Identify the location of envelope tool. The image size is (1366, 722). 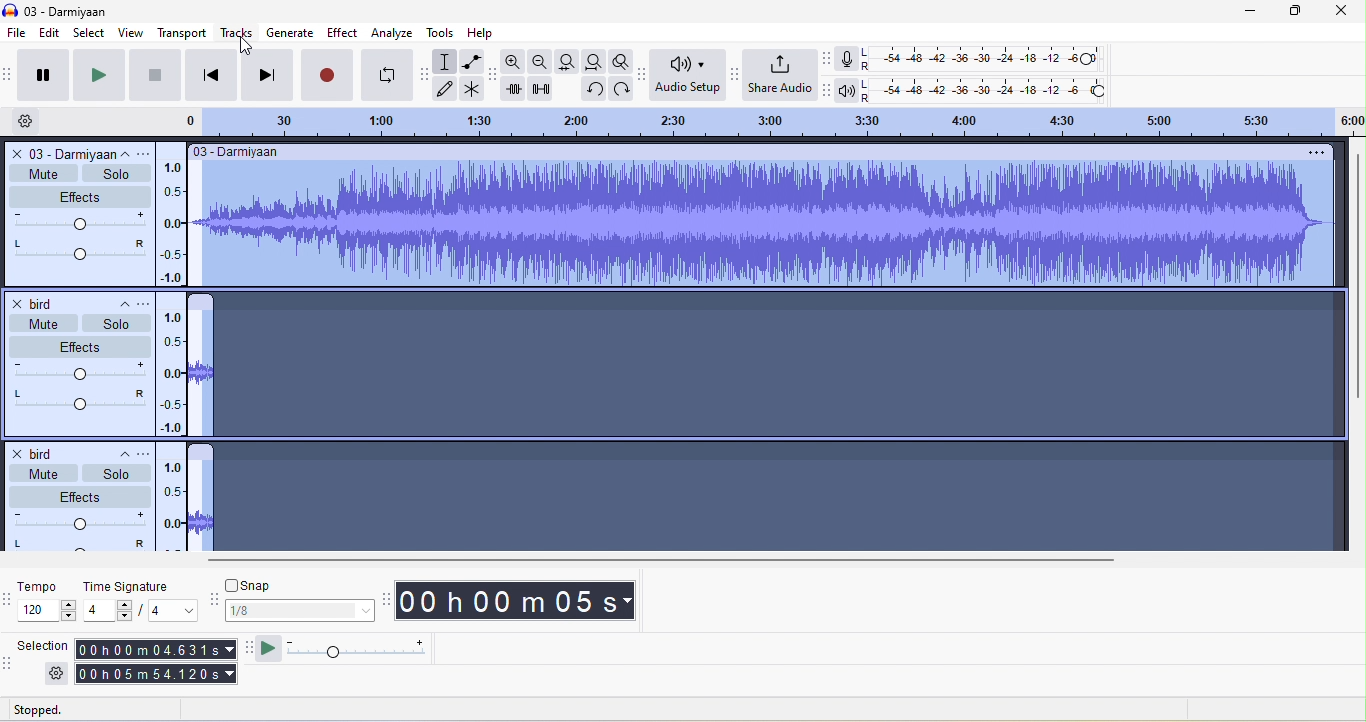
(475, 63).